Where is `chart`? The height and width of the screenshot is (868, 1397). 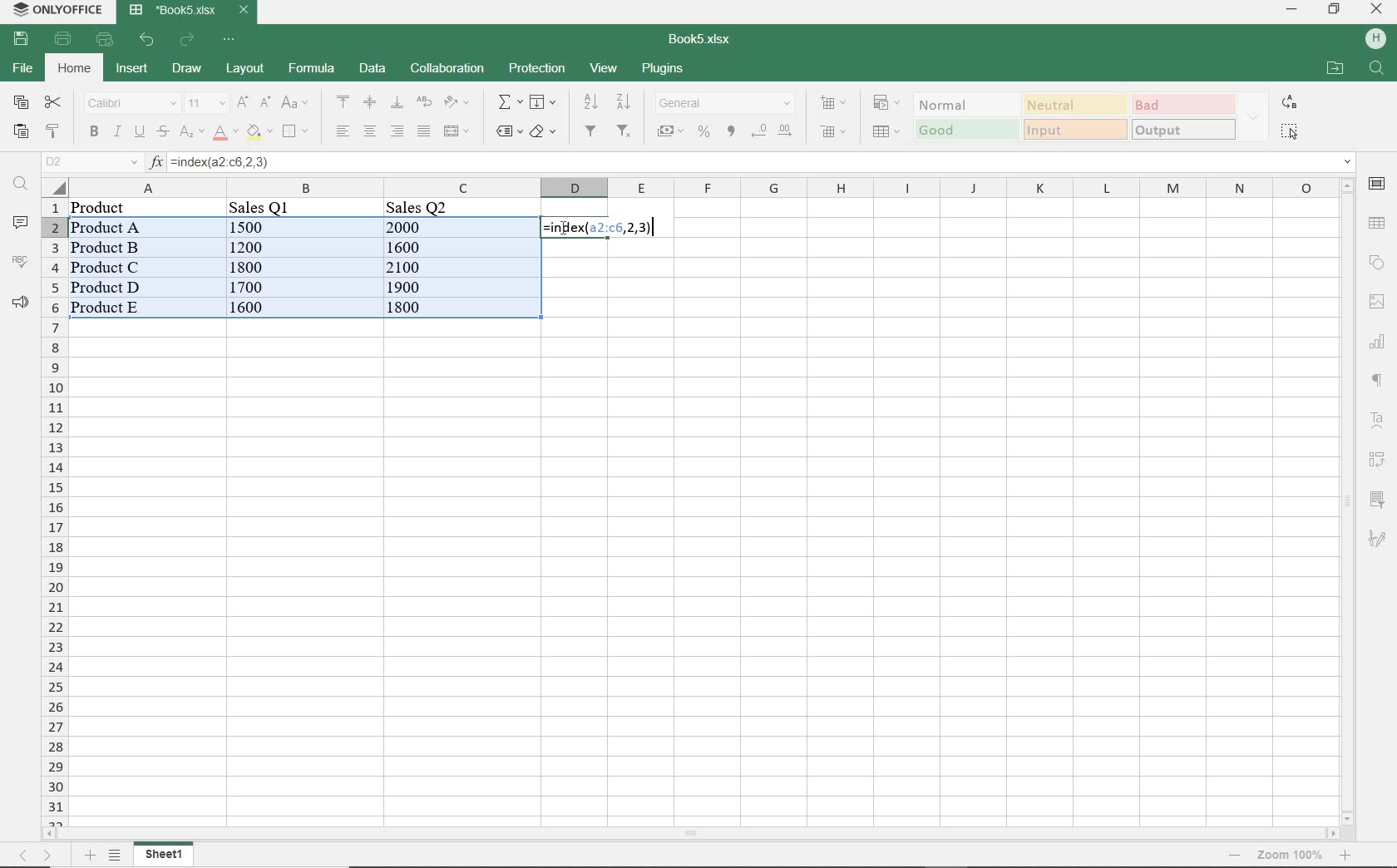
chart is located at coordinates (1377, 341).